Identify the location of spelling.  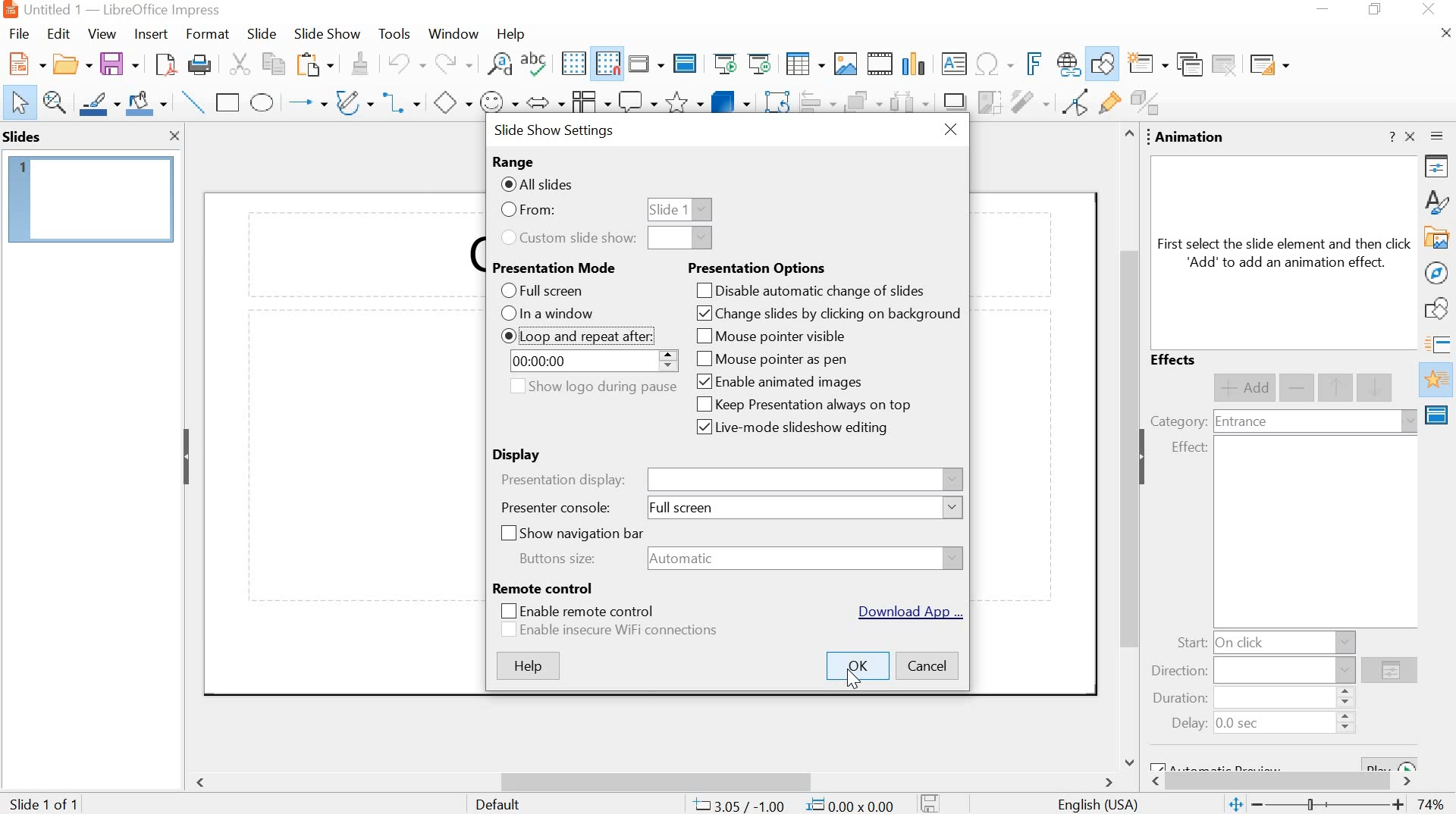
(538, 66).